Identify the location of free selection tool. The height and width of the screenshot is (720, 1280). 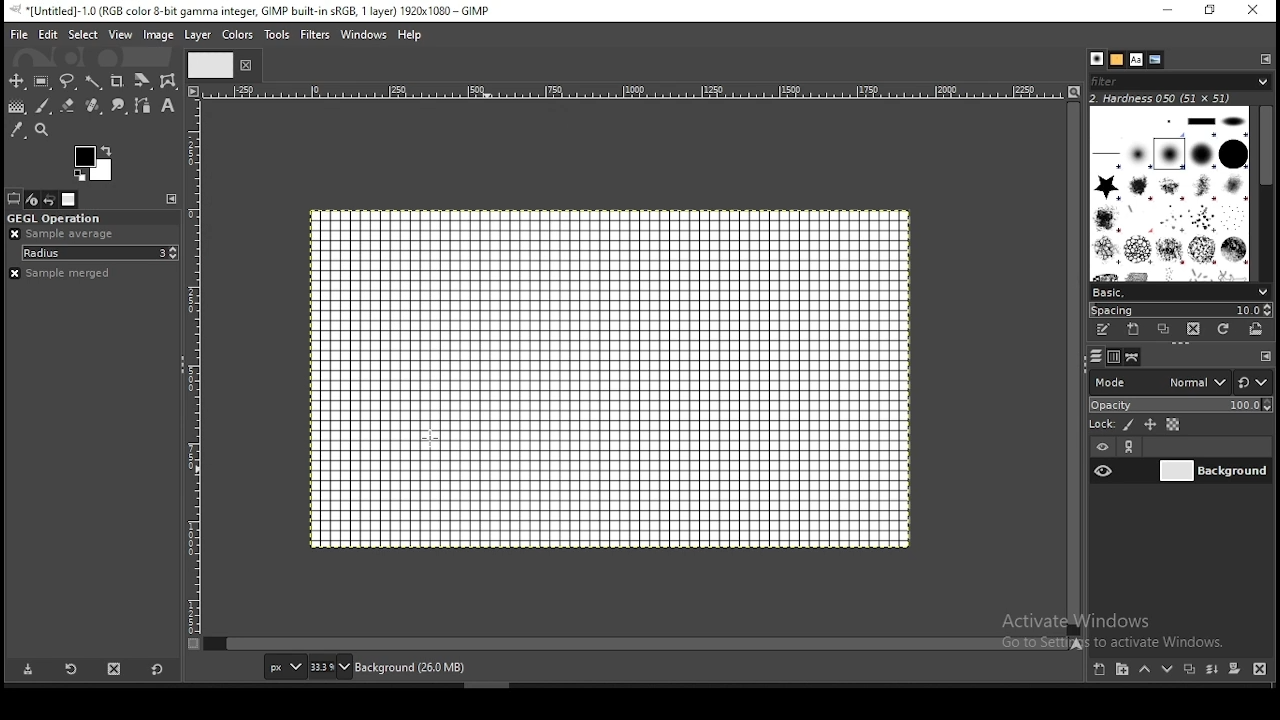
(68, 81).